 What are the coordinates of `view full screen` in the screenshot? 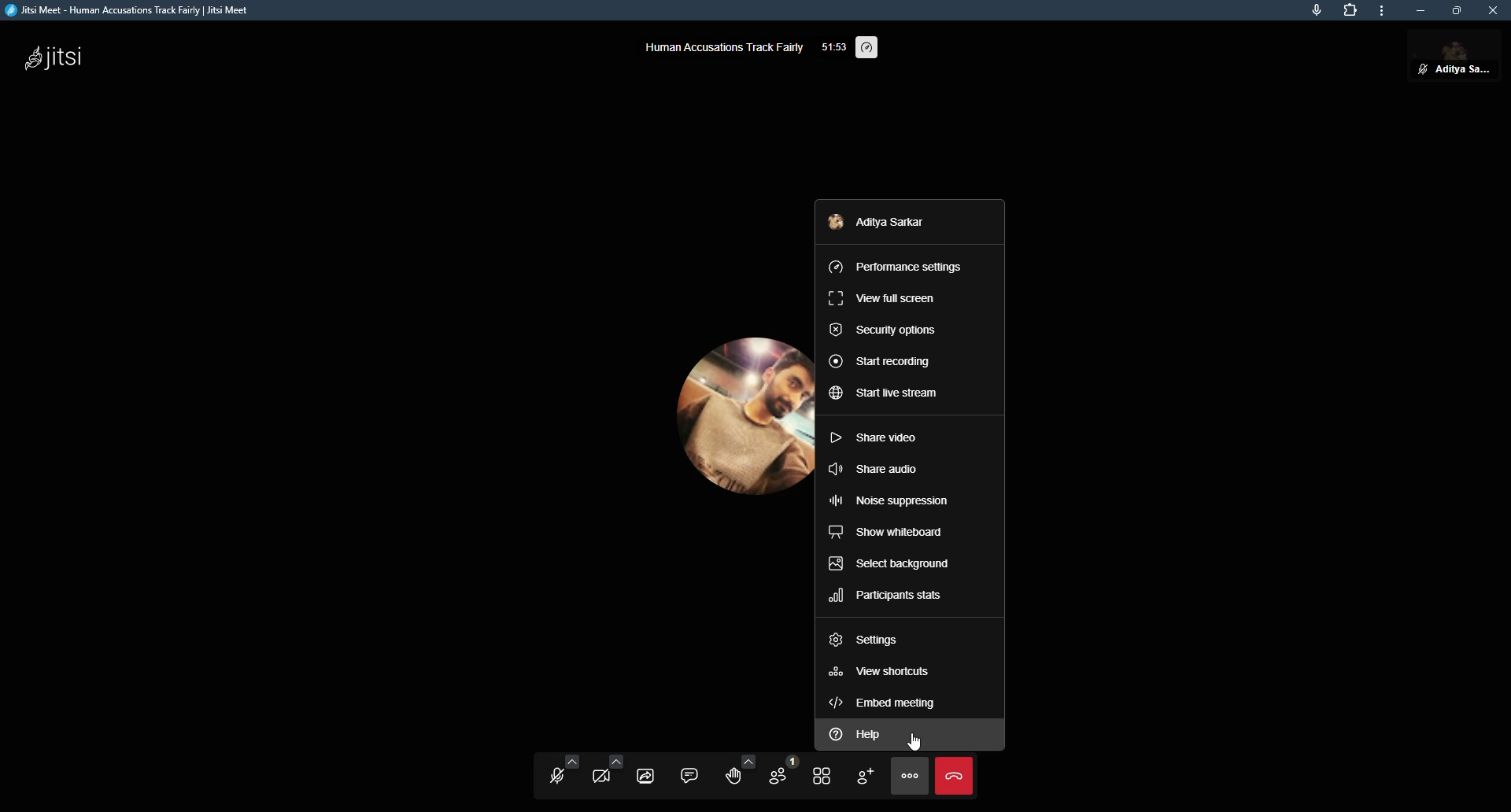 It's located at (885, 299).